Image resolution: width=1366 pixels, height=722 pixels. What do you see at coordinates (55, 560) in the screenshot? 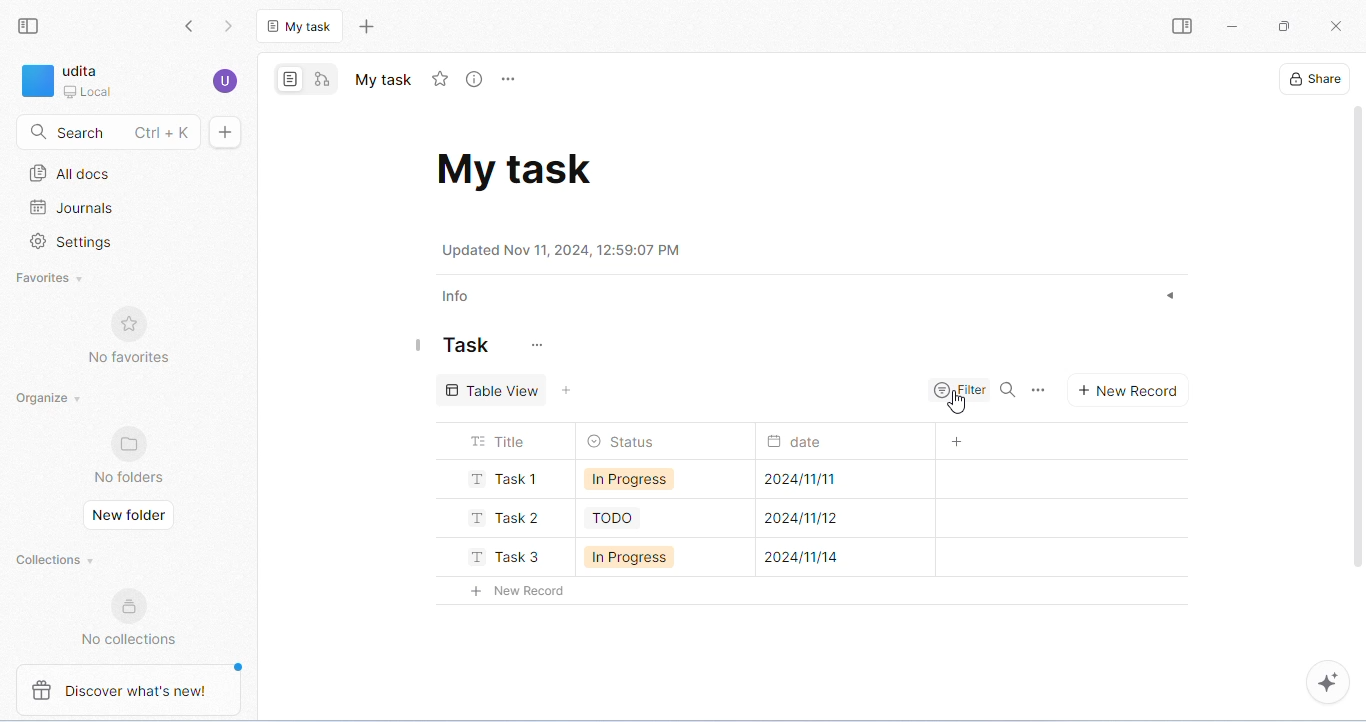
I see `collections` at bounding box center [55, 560].